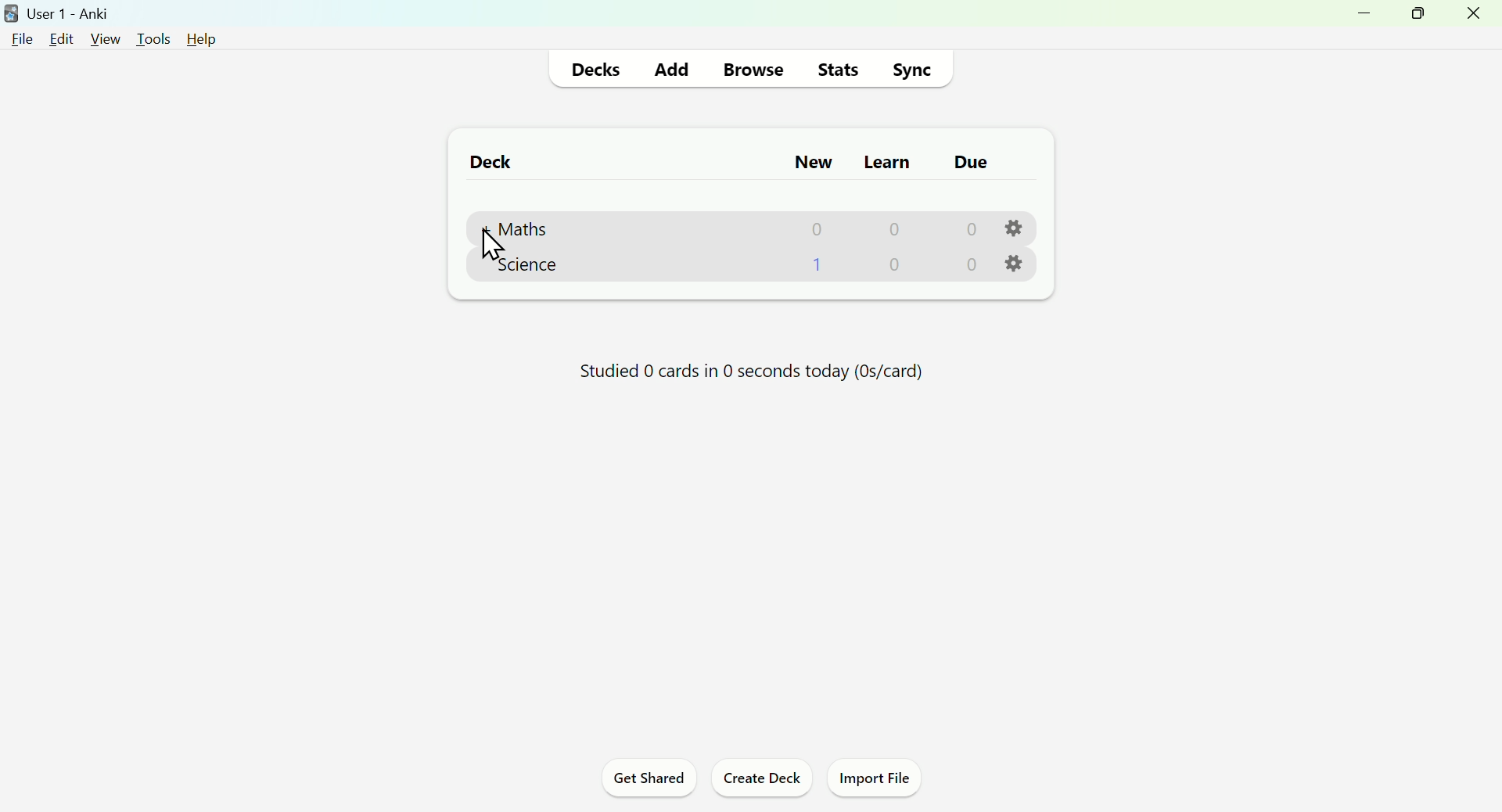  I want to click on 0, so click(893, 228).